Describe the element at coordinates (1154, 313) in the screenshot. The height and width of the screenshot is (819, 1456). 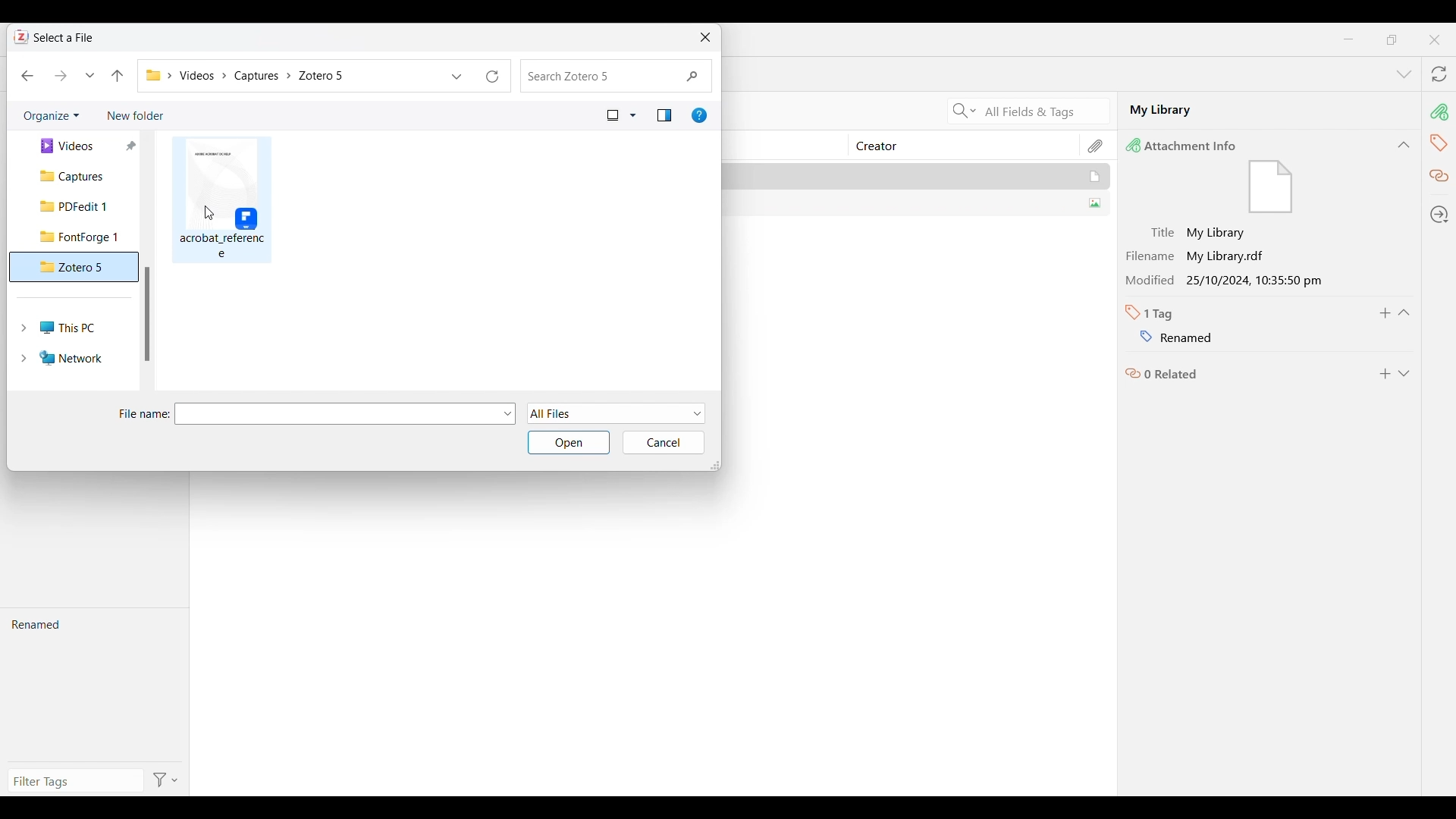
I see `Number of tabs in selected file` at that location.